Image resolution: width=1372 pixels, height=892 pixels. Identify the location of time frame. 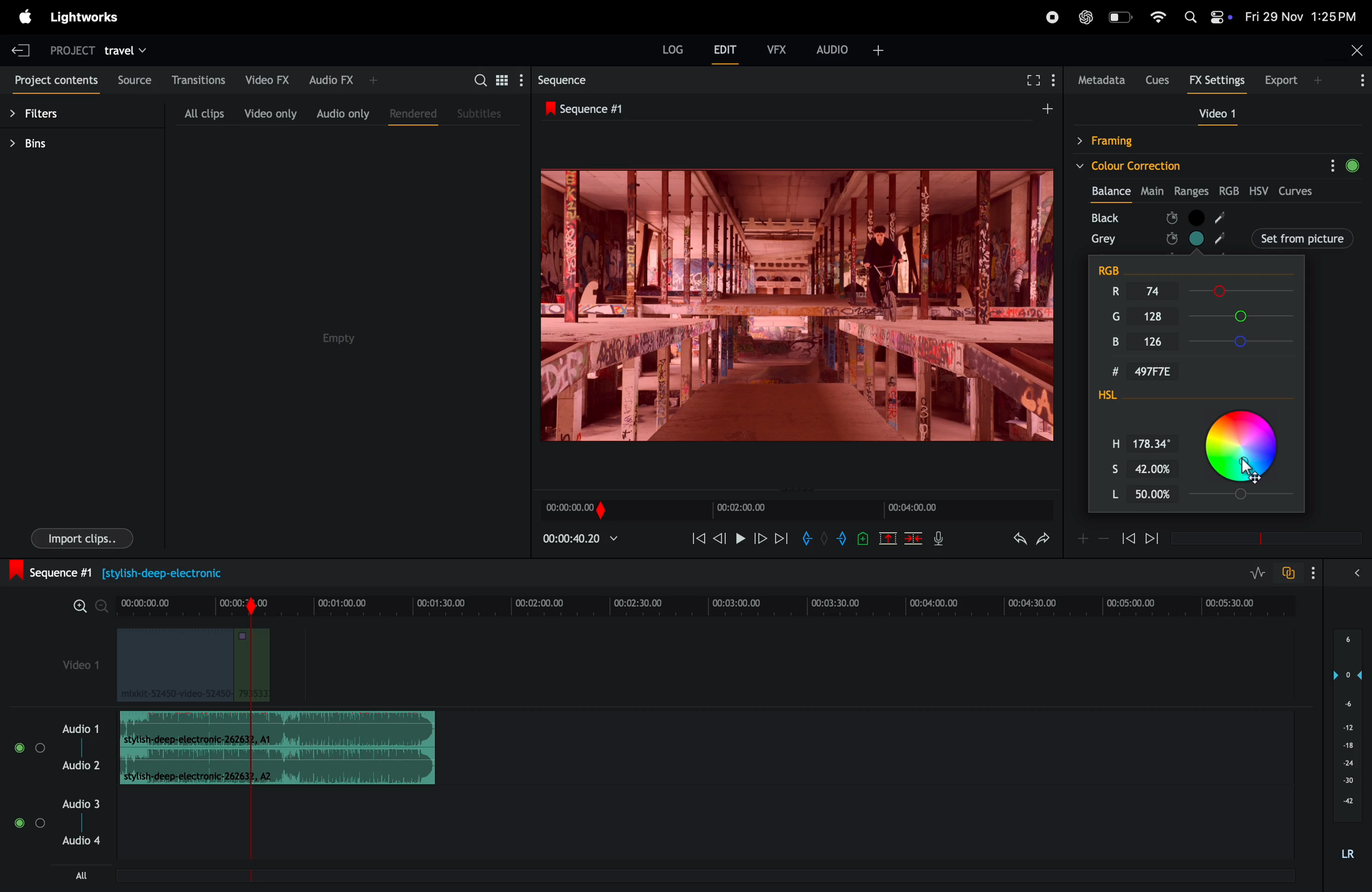
(1262, 539).